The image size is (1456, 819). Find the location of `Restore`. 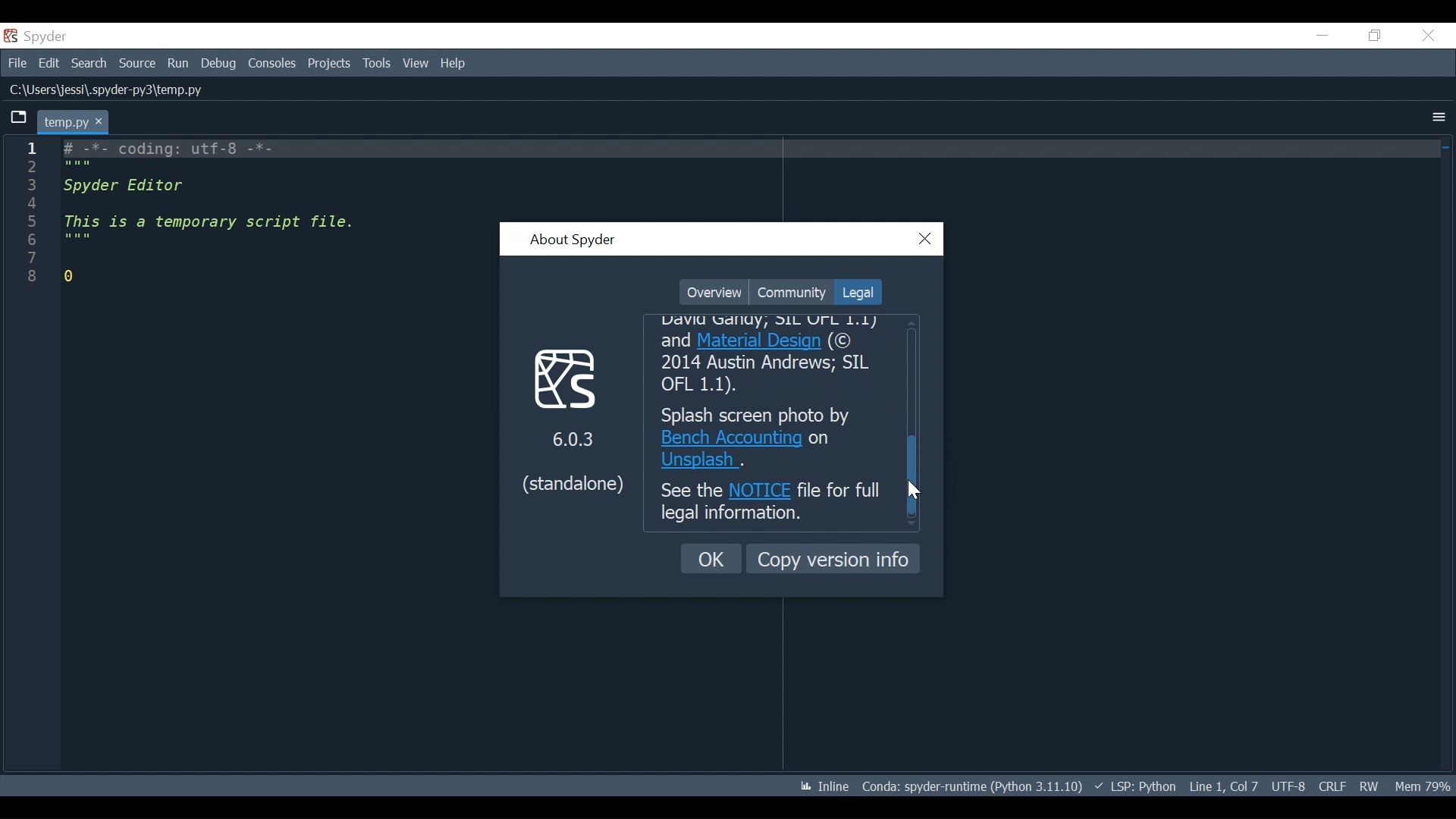

Restore is located at coordinates (1376, 35).